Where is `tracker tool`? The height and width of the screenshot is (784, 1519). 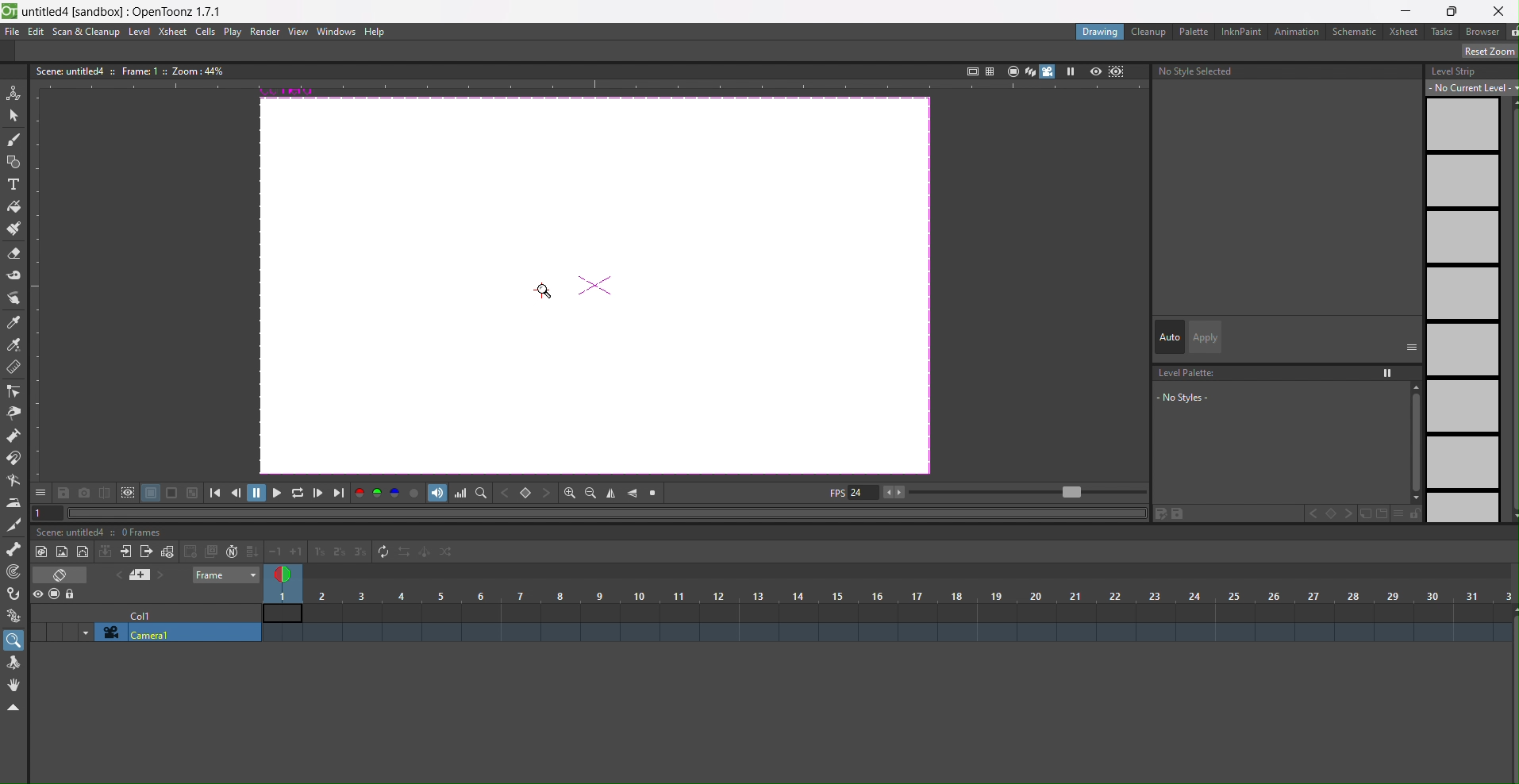
tracker tool is located at coordinates (15, 573).